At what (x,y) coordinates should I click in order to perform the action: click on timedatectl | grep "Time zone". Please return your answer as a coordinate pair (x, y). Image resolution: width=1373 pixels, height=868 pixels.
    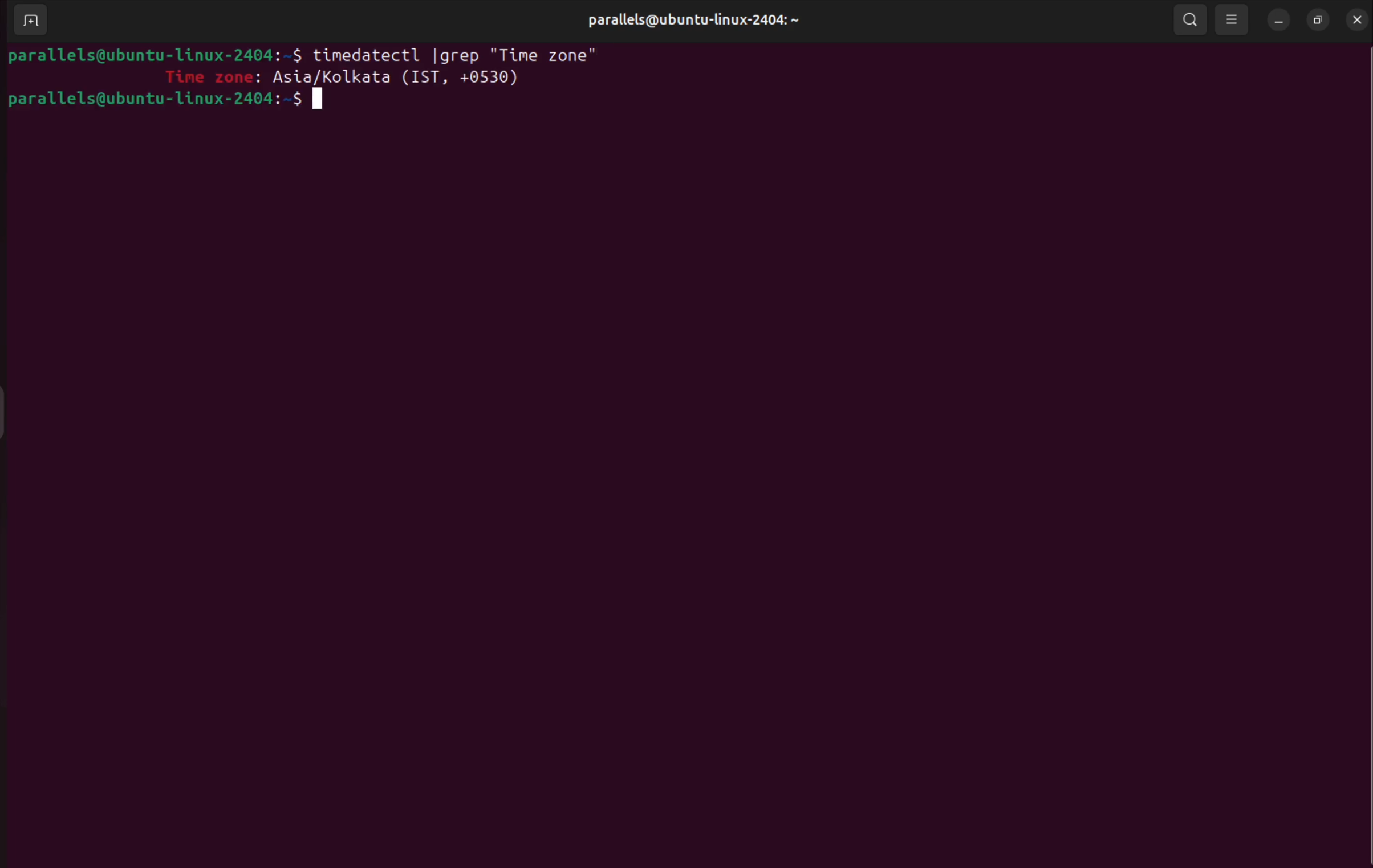
    Looking at the image, I should click on (458, 55).